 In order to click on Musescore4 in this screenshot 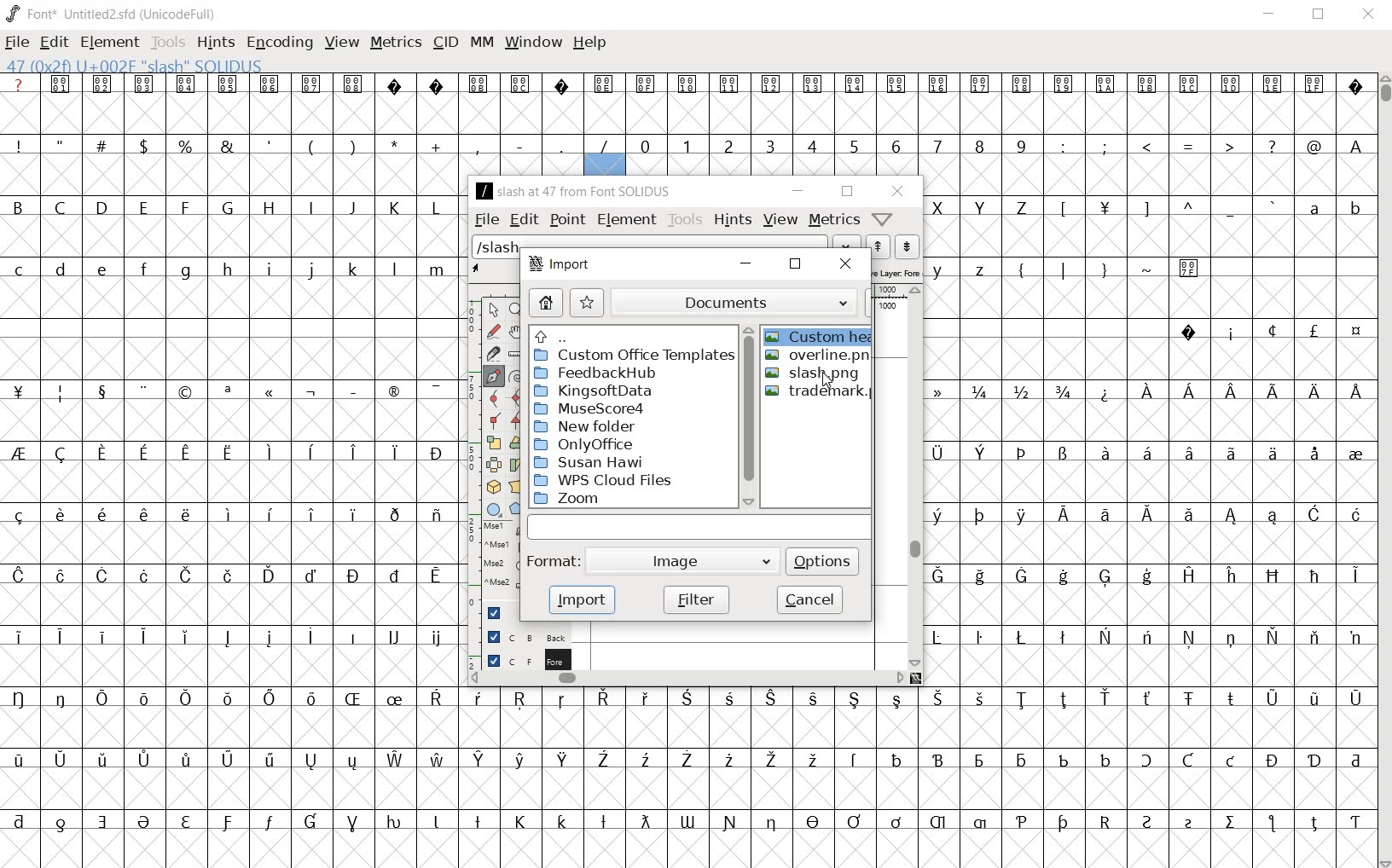, I will do `click(590, 409)`.